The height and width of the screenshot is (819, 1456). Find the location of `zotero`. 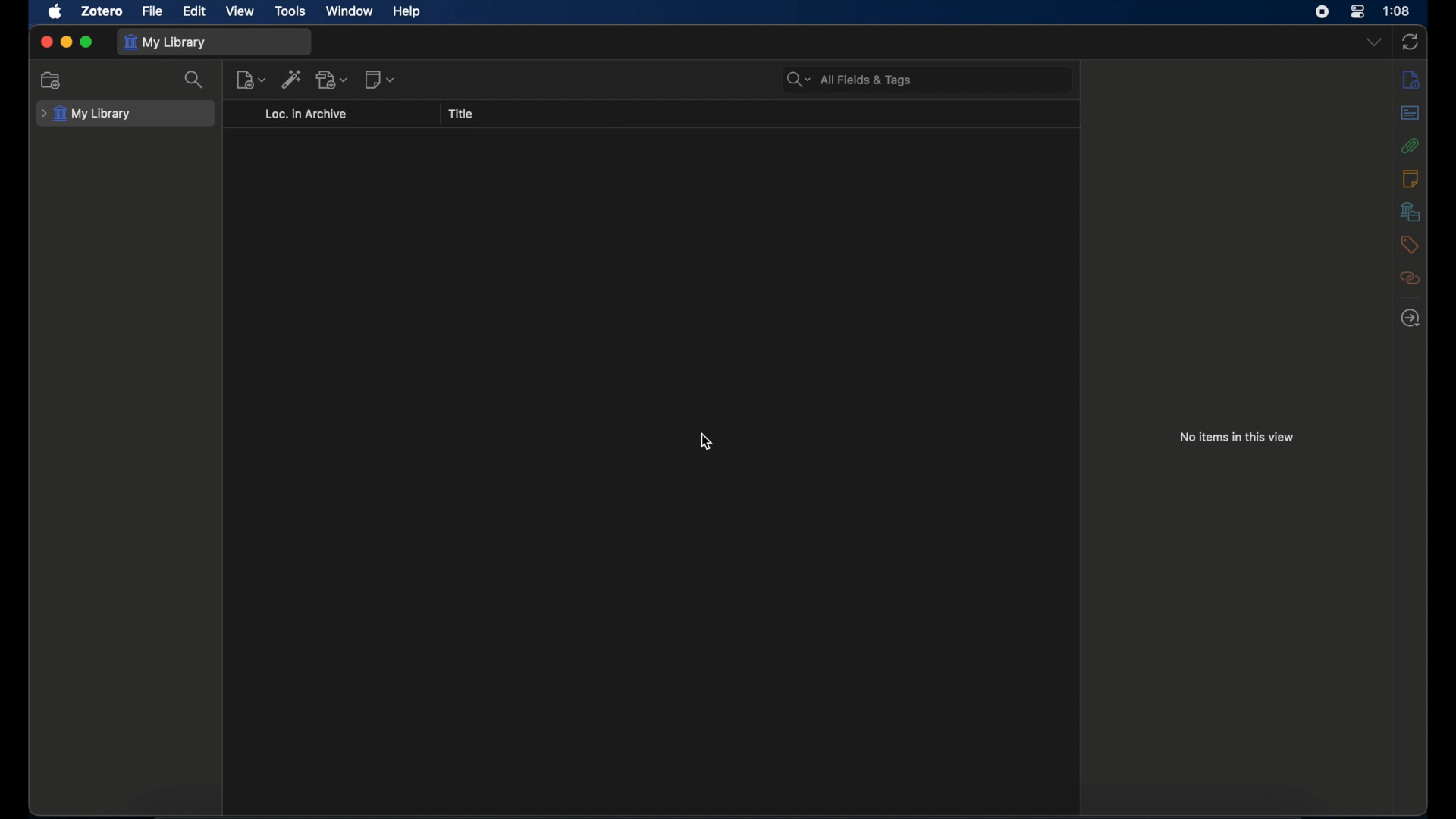

zotero is located at coordinates (103, 11).